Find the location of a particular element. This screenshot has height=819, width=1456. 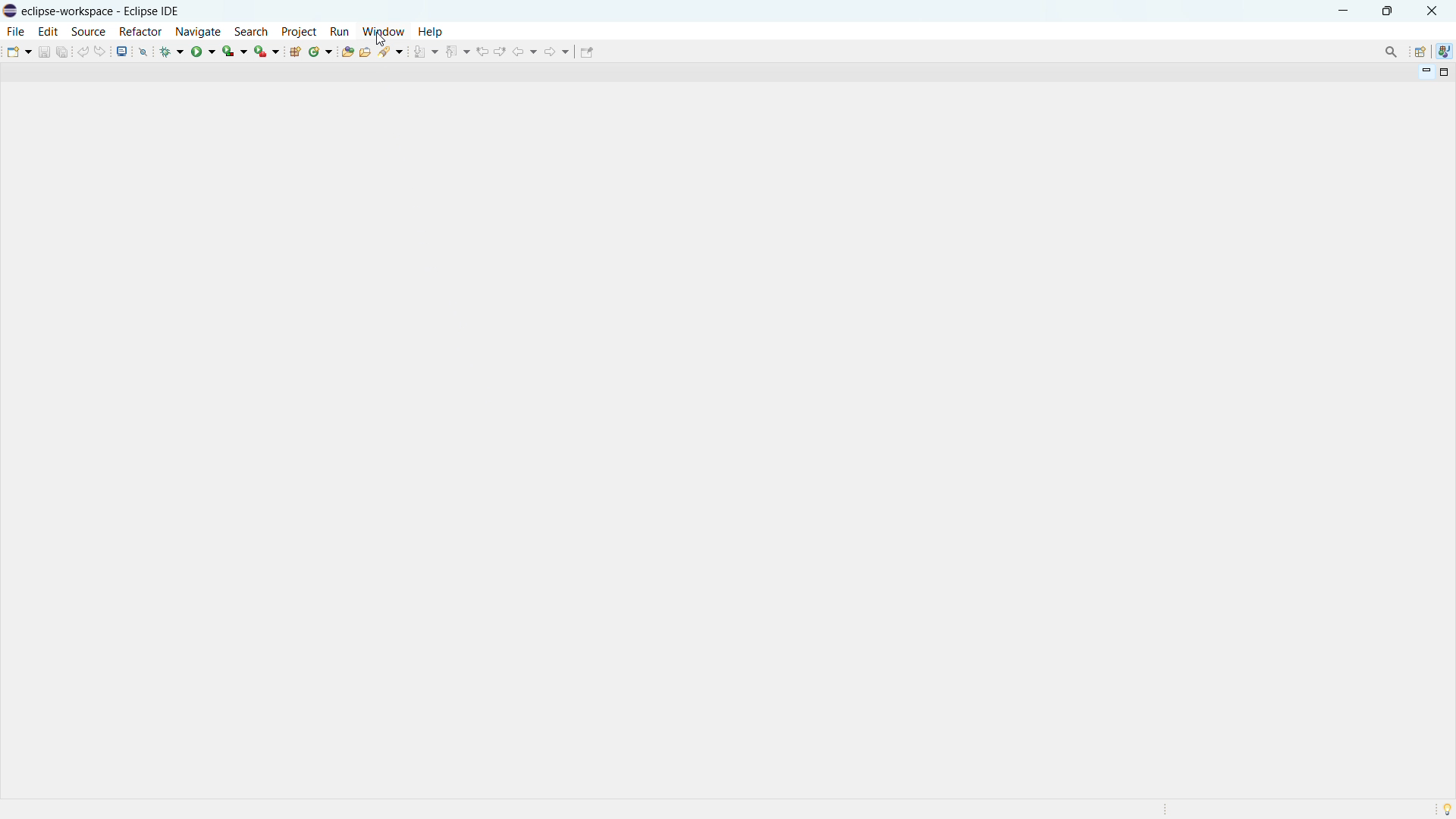

maximize view is located at coordinates (1442, 73).